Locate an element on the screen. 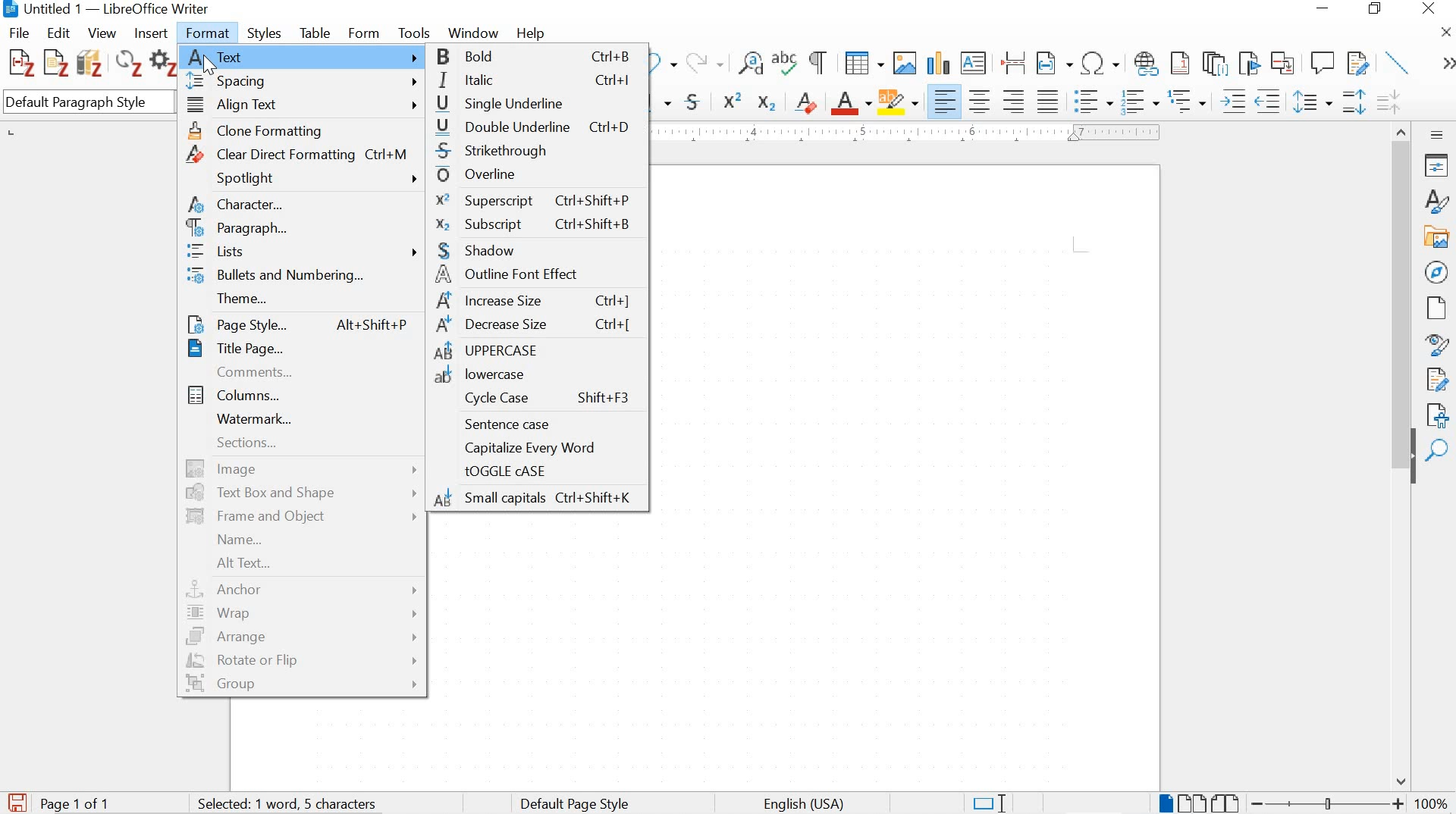 Image resolution: width=1456 pixels, height=814 pixels. styles is located at coordinates (265, 33).